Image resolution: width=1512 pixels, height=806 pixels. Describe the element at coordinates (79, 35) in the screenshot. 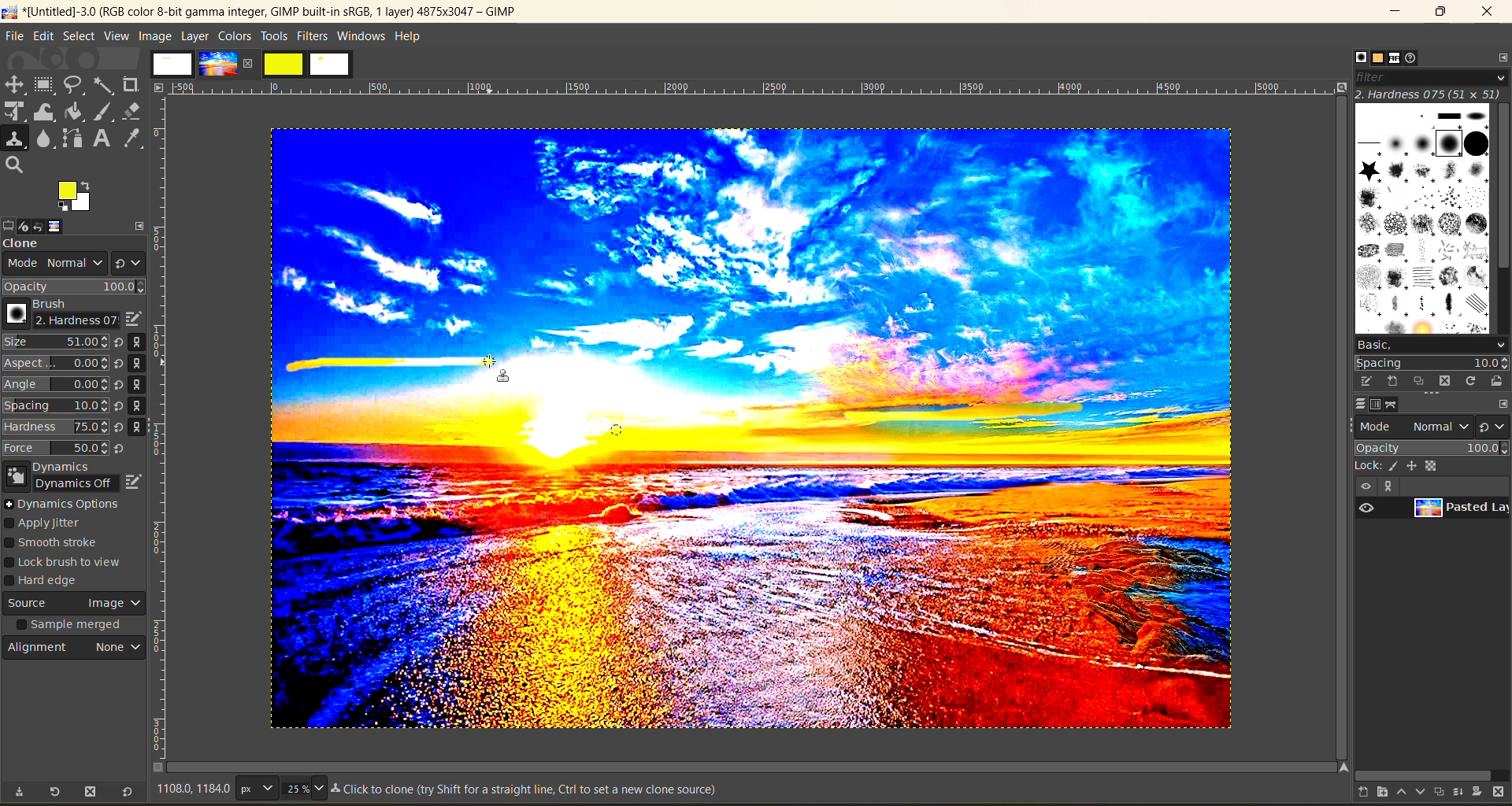

I see `select` at that location.